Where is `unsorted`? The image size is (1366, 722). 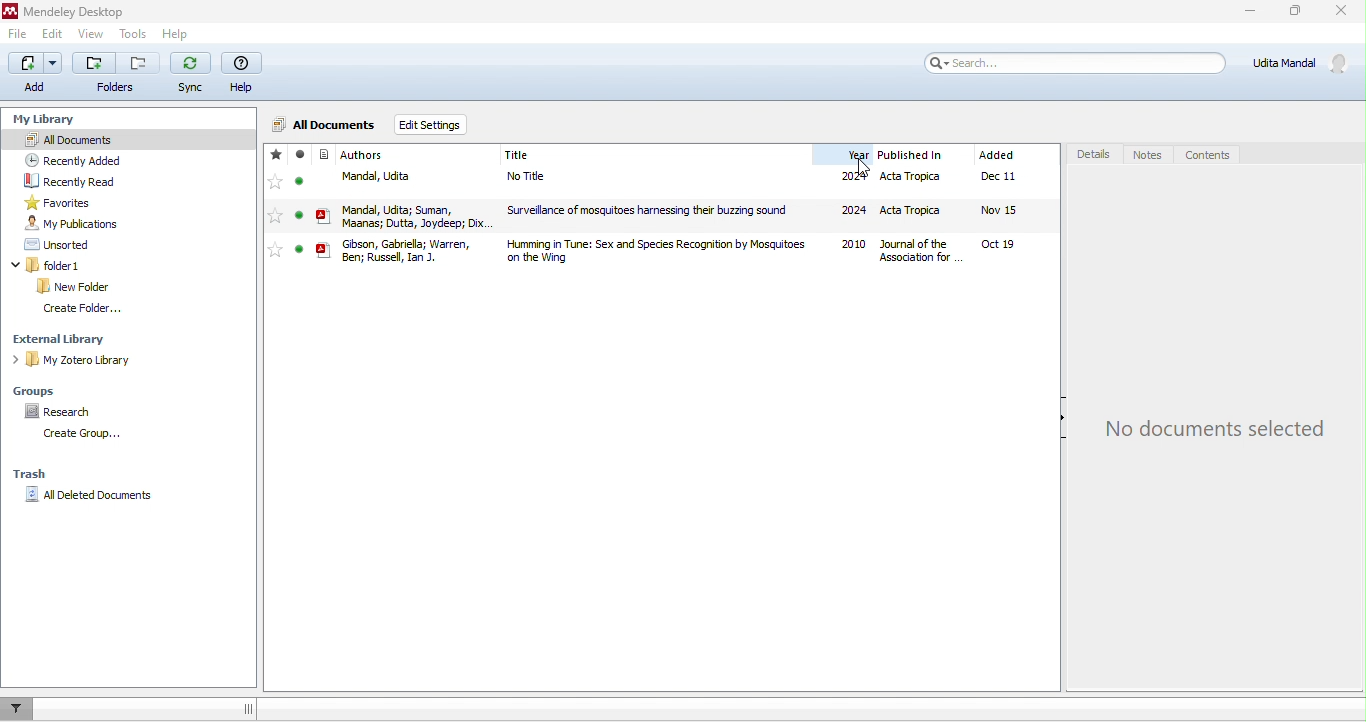
unsorted is located at coordinates (53, 247).